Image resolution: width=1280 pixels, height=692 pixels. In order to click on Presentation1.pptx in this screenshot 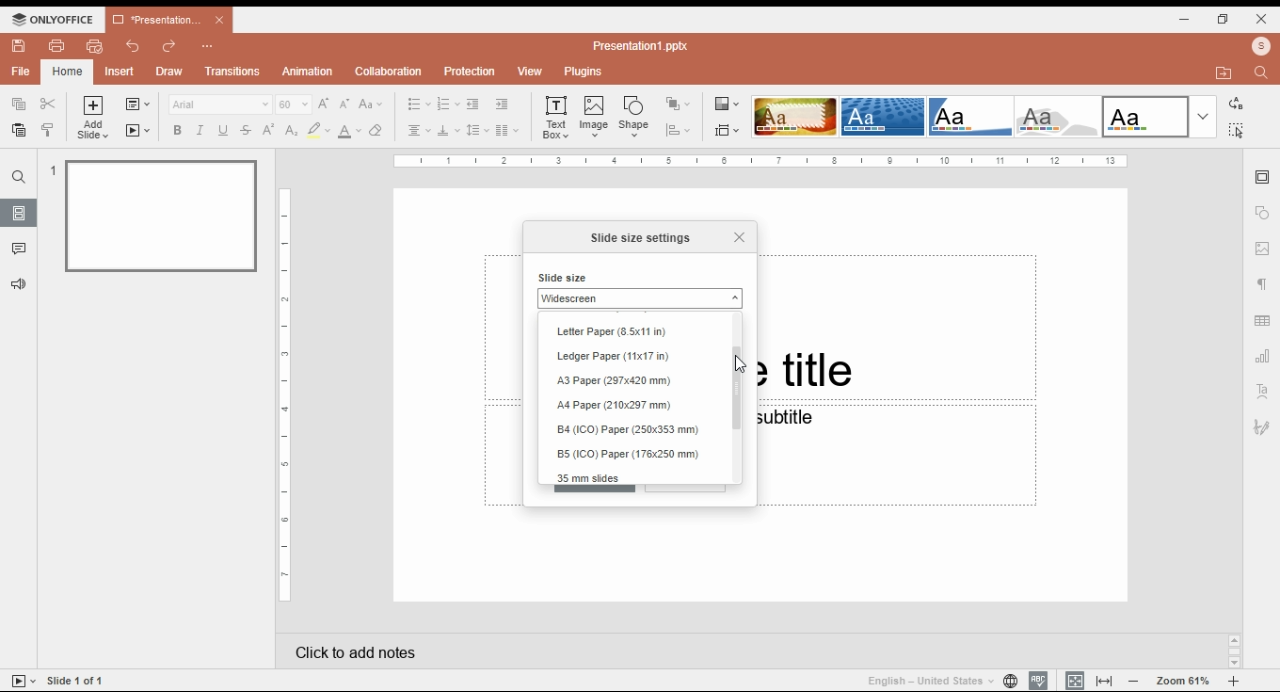, I will do `click(644, 45)`.